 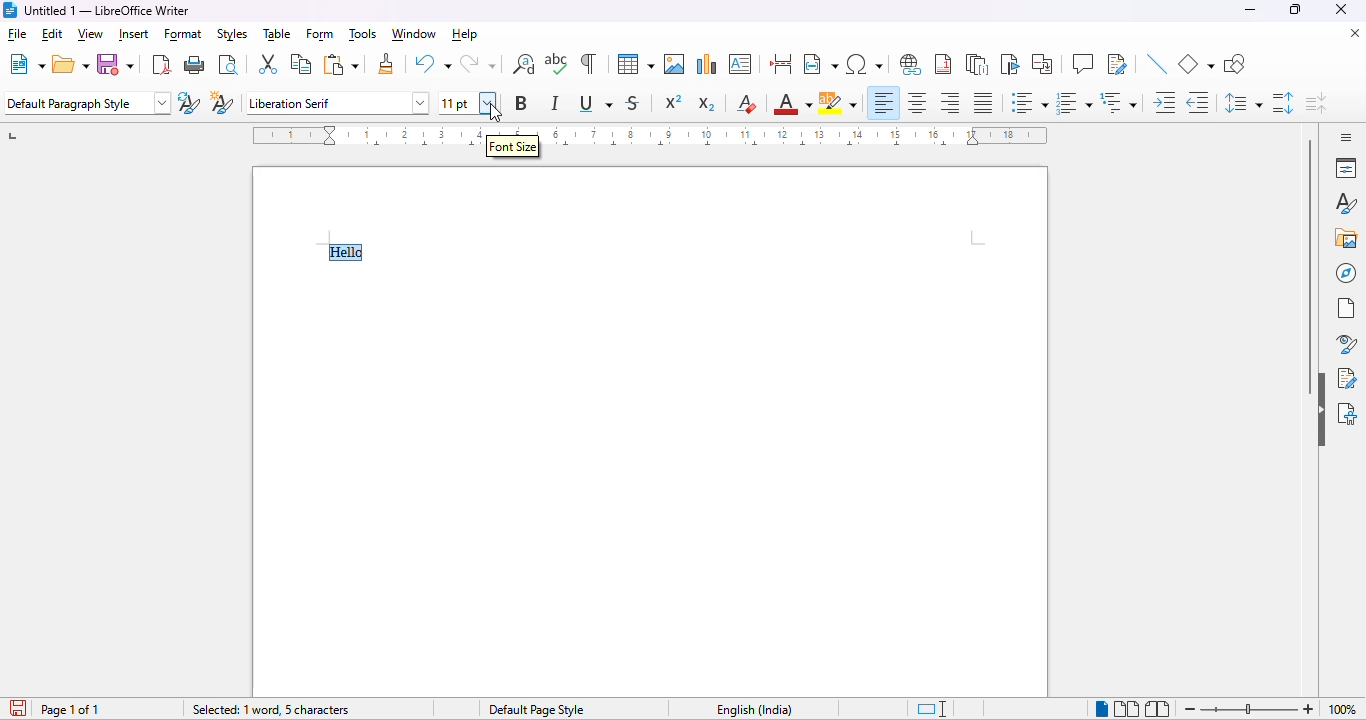 I want to click on navigator, so click(x=1346, y=273).